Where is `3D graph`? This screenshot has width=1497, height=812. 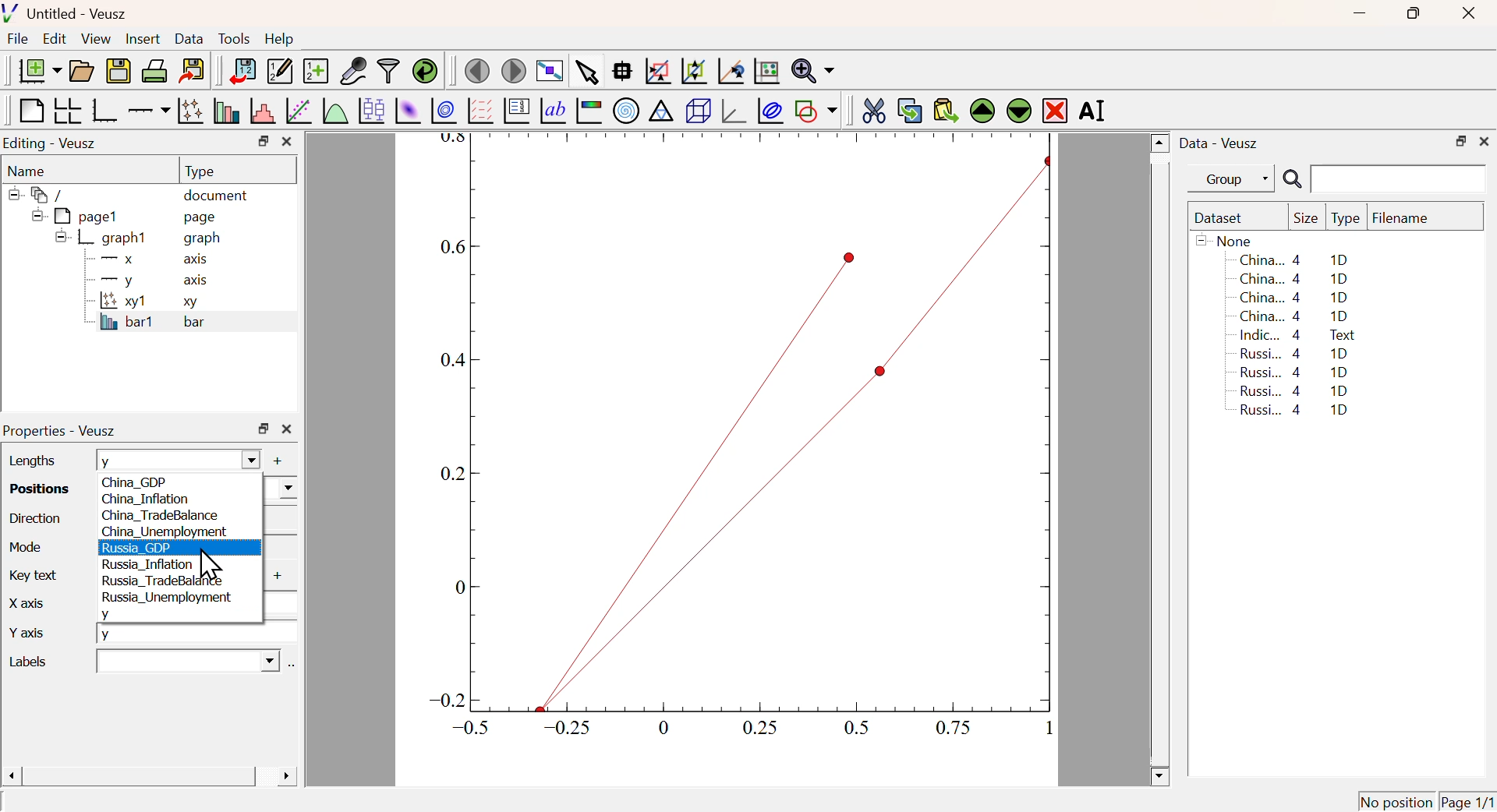 3D graph is located at coordinates (735, 112).